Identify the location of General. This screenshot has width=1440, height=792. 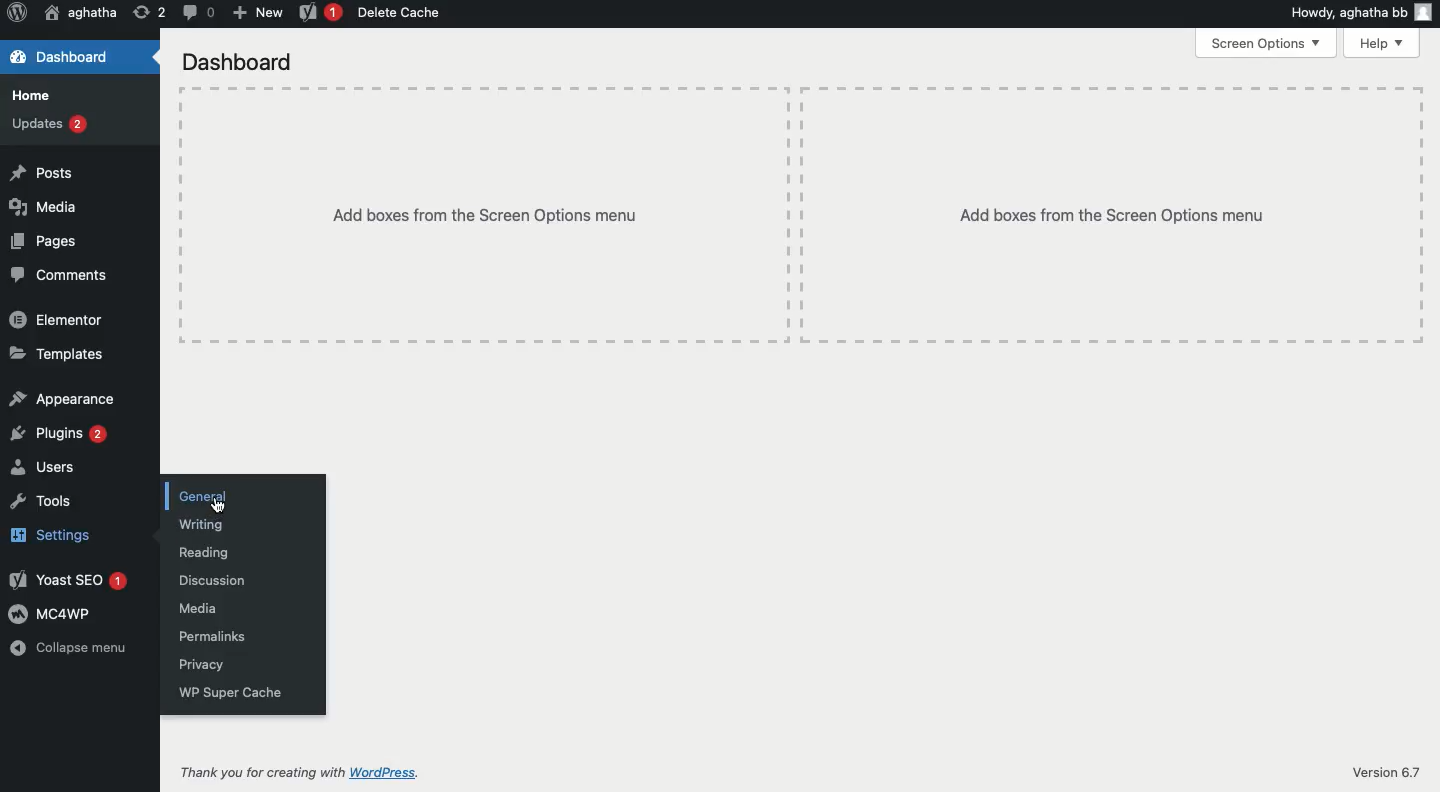
(206, 496).